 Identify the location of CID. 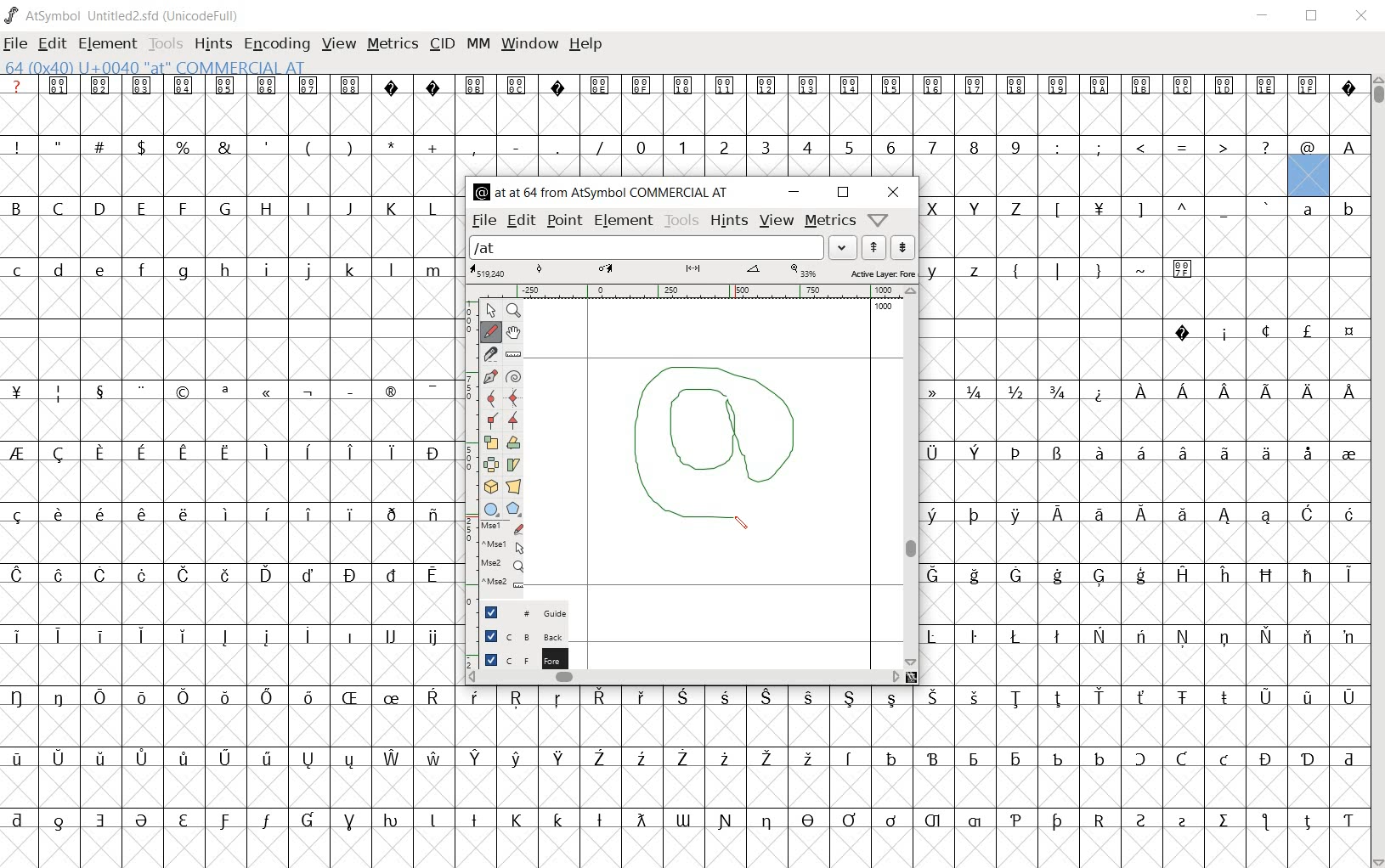
(439, 43).